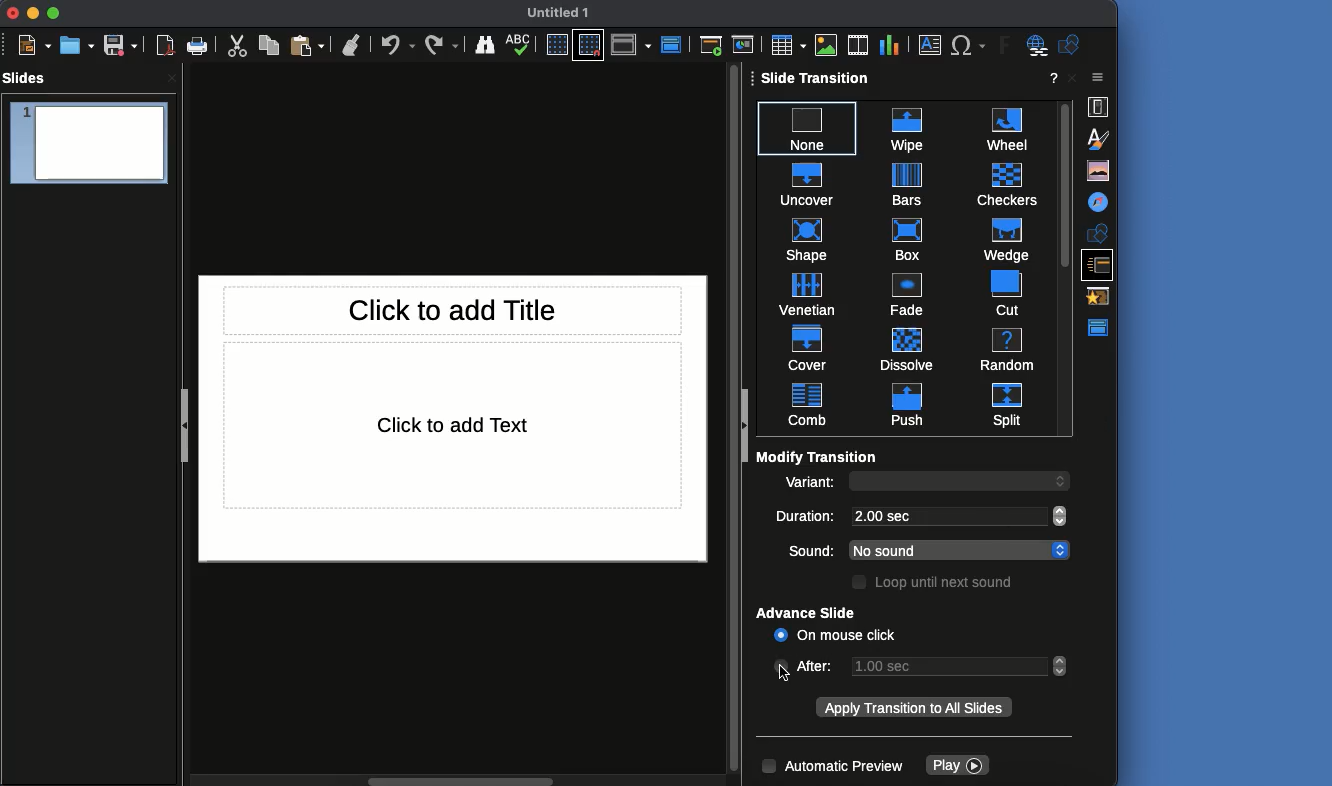 Image resolution: width=1332 pixels, height=786 pixels. I want to click on Master view, so click(673, 43).